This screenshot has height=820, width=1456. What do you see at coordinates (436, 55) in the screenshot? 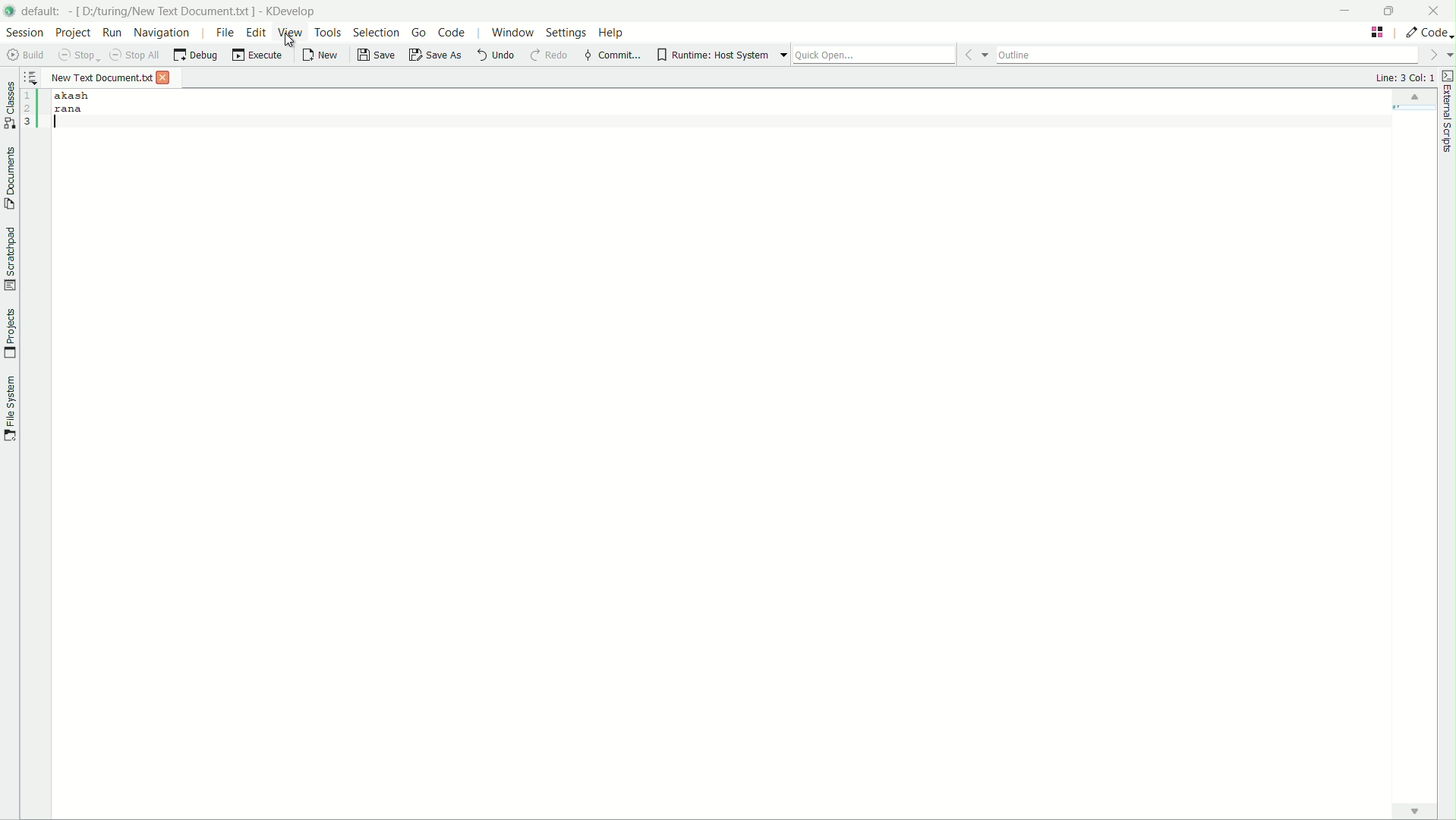
I see `save as` at bounding box center [436, 55].